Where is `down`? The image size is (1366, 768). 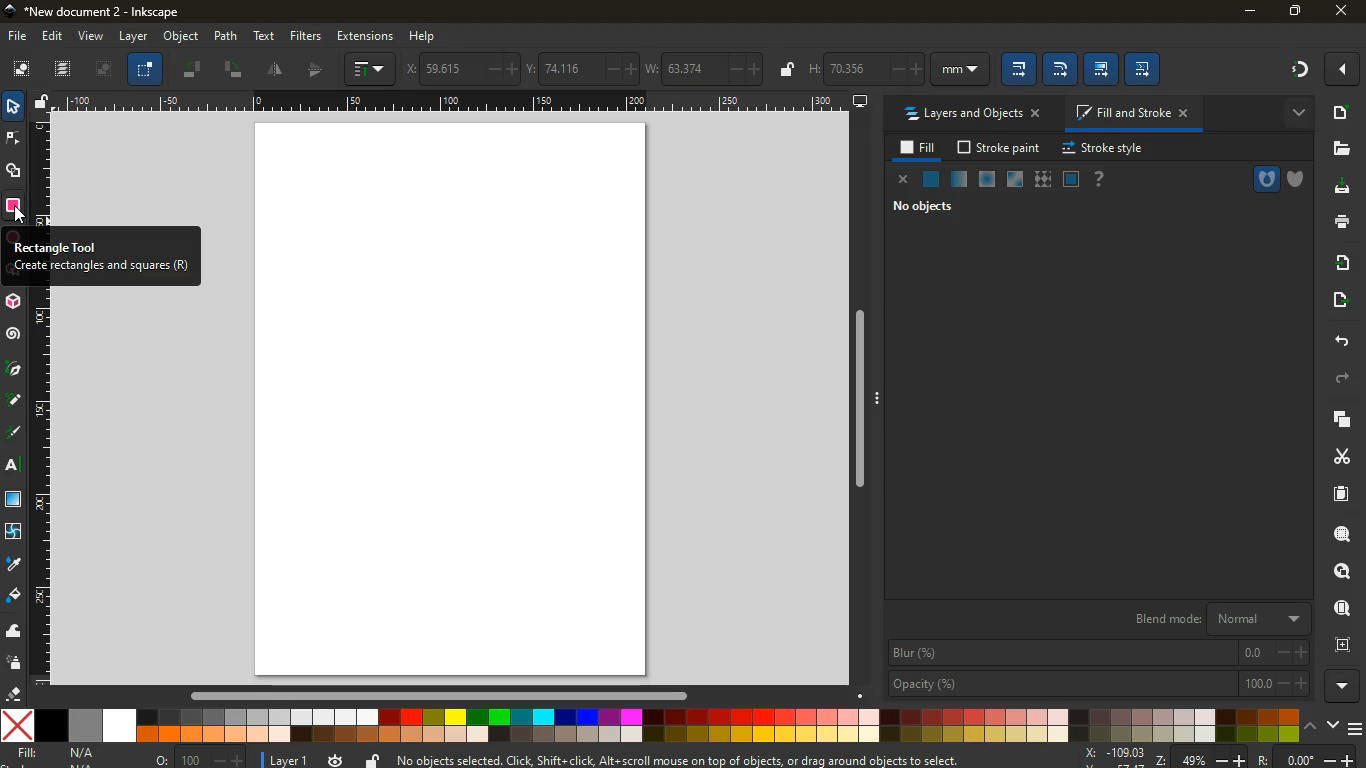
down is located at coordinates (1332, 726).